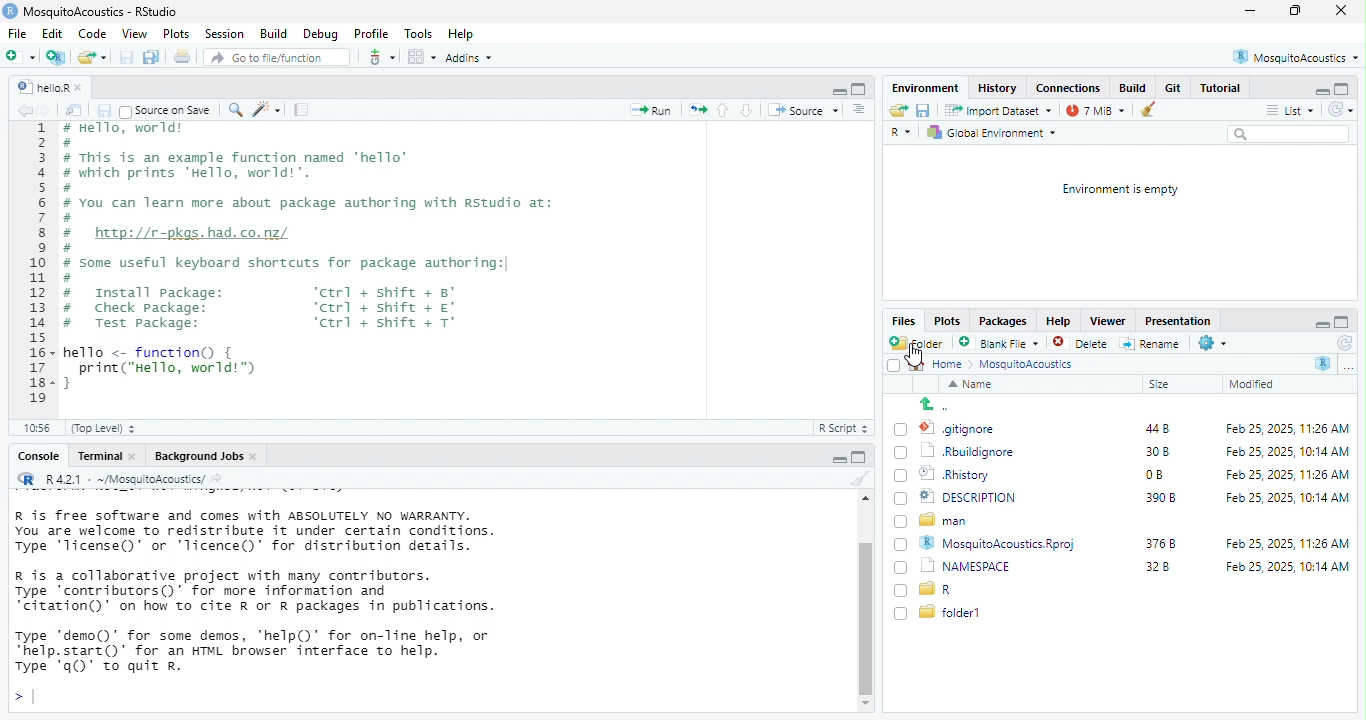 This screenshot has height=720, width=1366. What do you see at coordinates (183, 57) in the screenshot?
I see `print the current file` at bounding box center [183, 57].